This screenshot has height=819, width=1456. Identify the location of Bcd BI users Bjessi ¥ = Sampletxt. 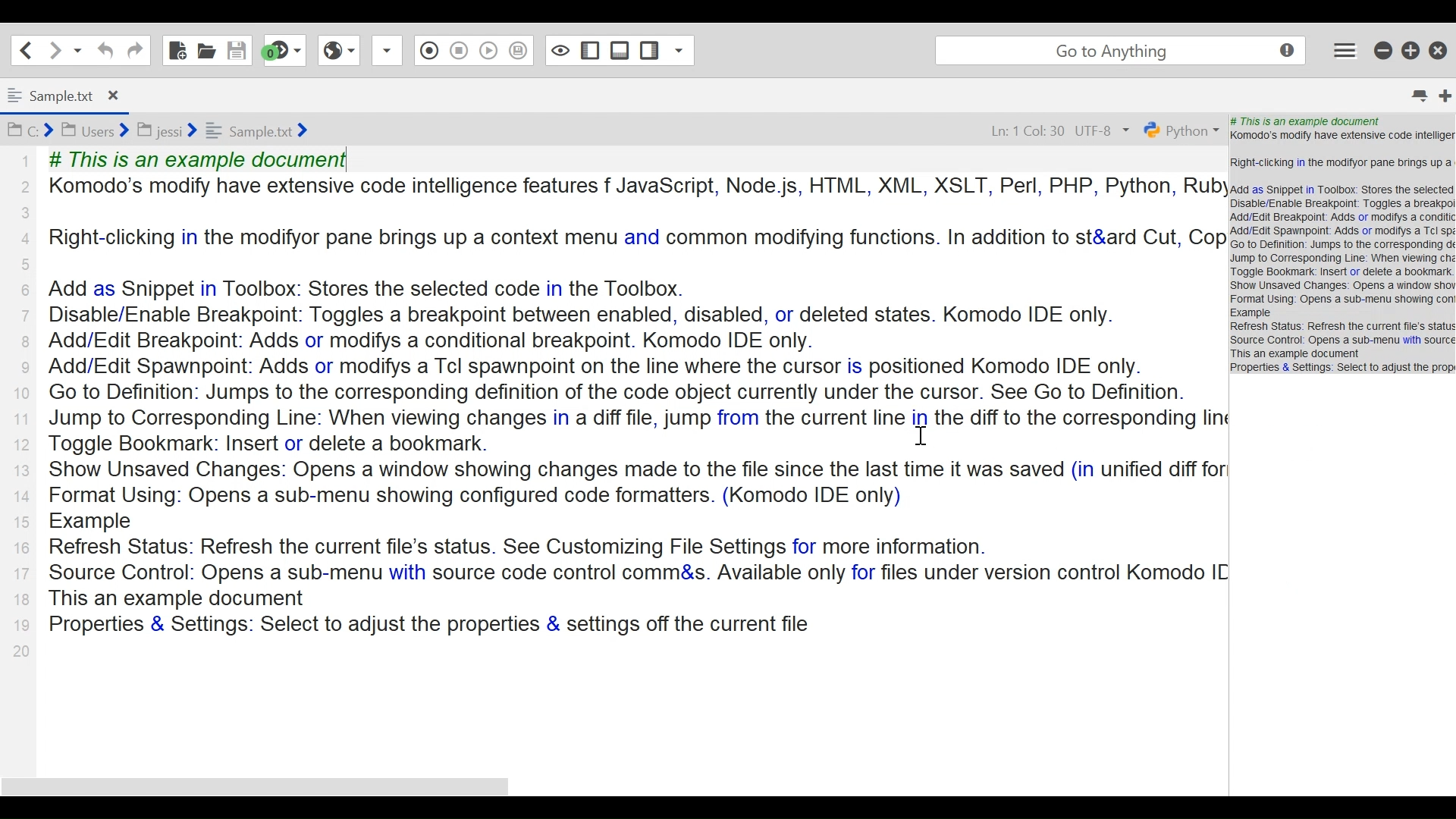
(184, 131).